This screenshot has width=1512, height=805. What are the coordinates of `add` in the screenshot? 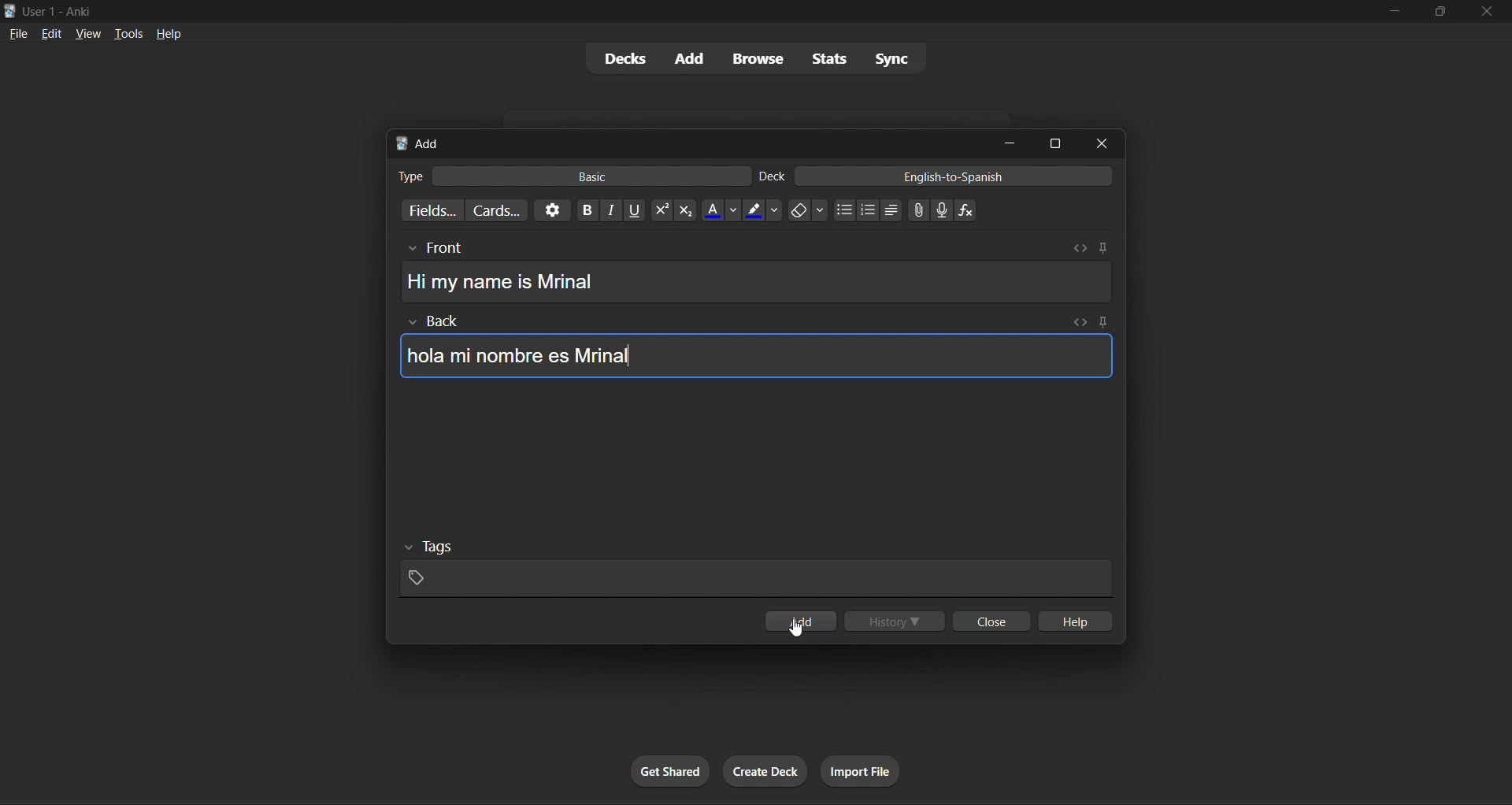 It's located at (690, 57).